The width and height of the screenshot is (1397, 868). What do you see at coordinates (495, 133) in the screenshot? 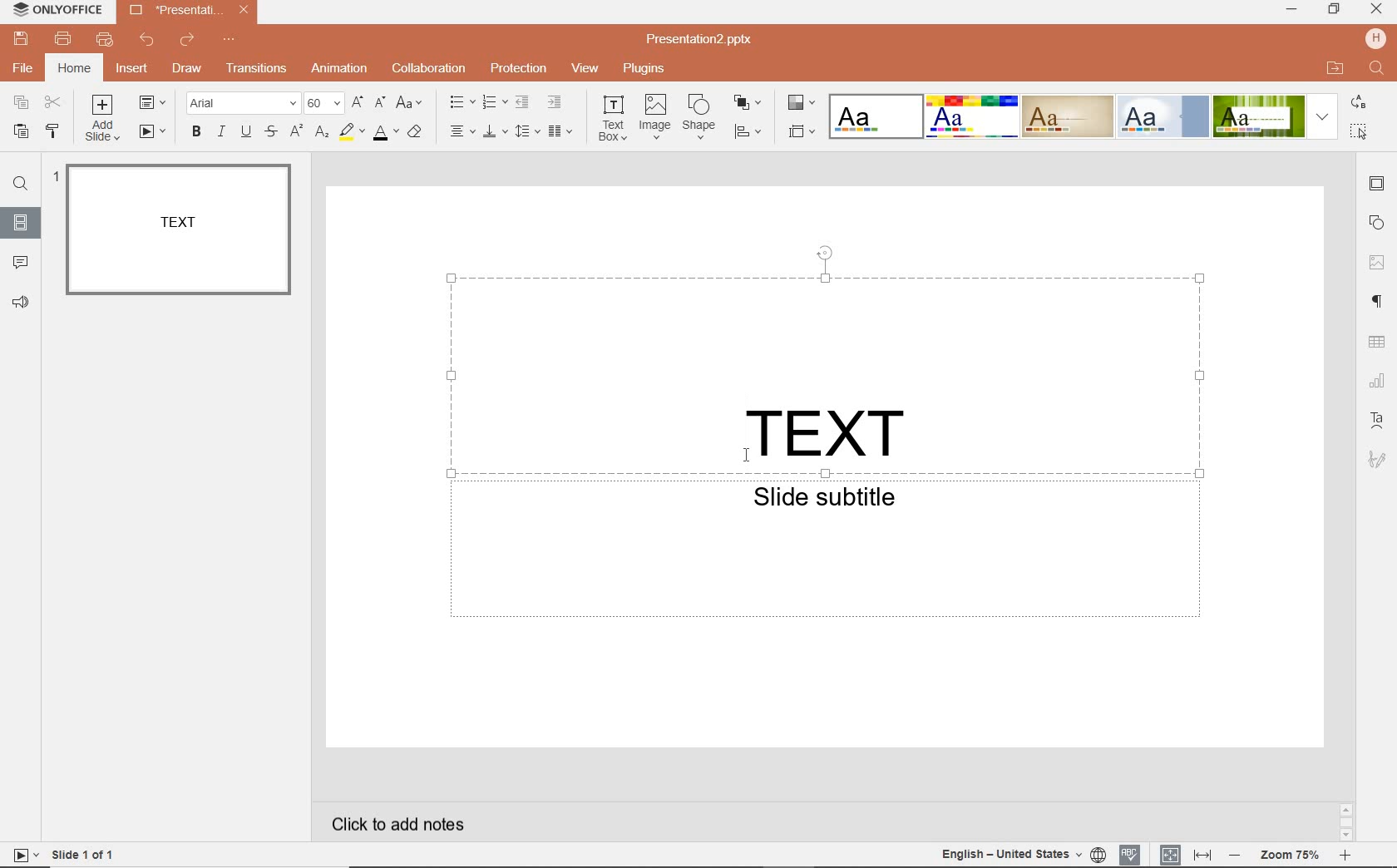
I see `VERTICAL ALIGN` at bounding box center [495, 133].